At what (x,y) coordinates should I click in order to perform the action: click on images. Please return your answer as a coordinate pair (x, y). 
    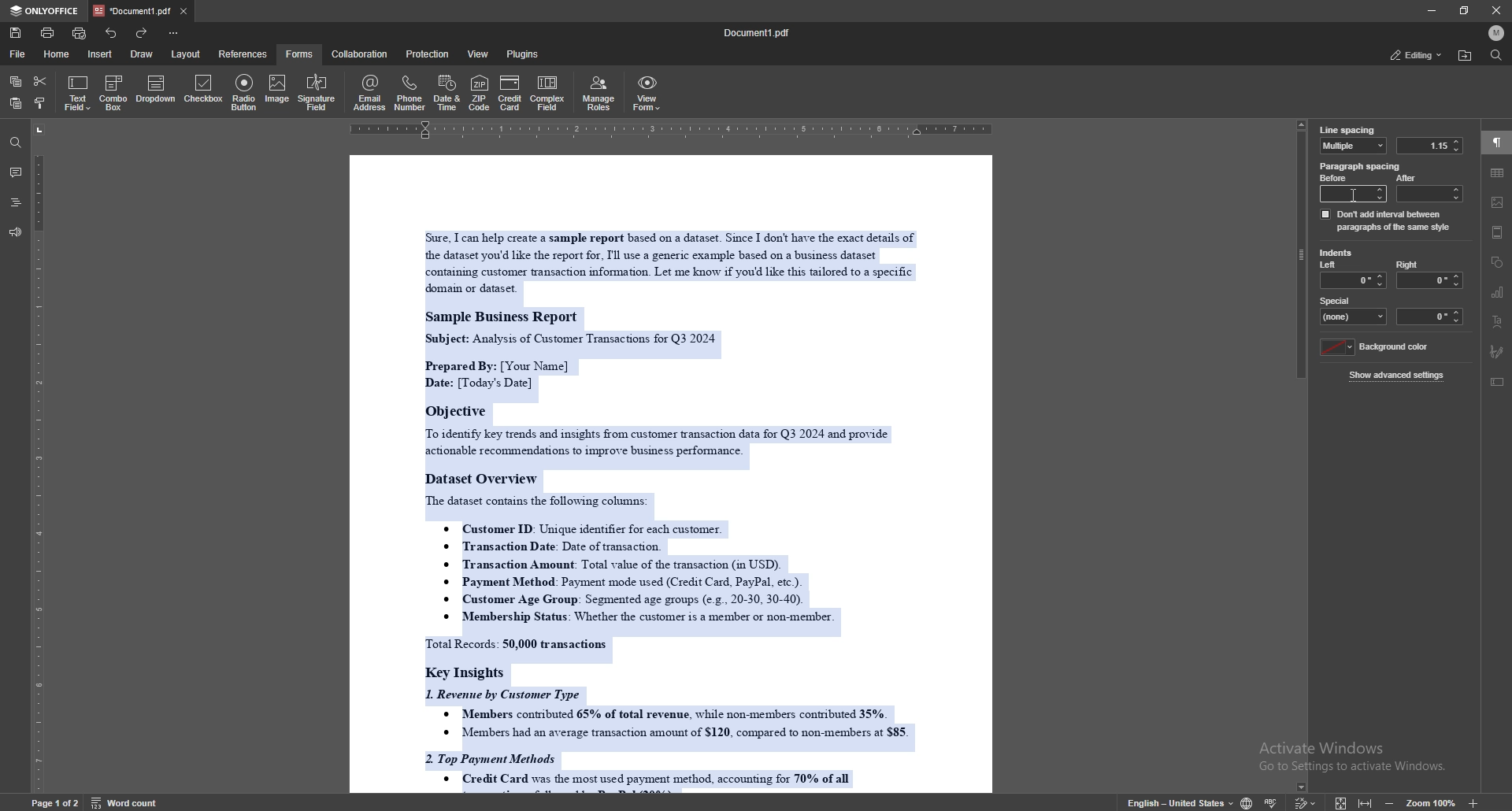
    Looking at the image, I should click on (1498, 202).